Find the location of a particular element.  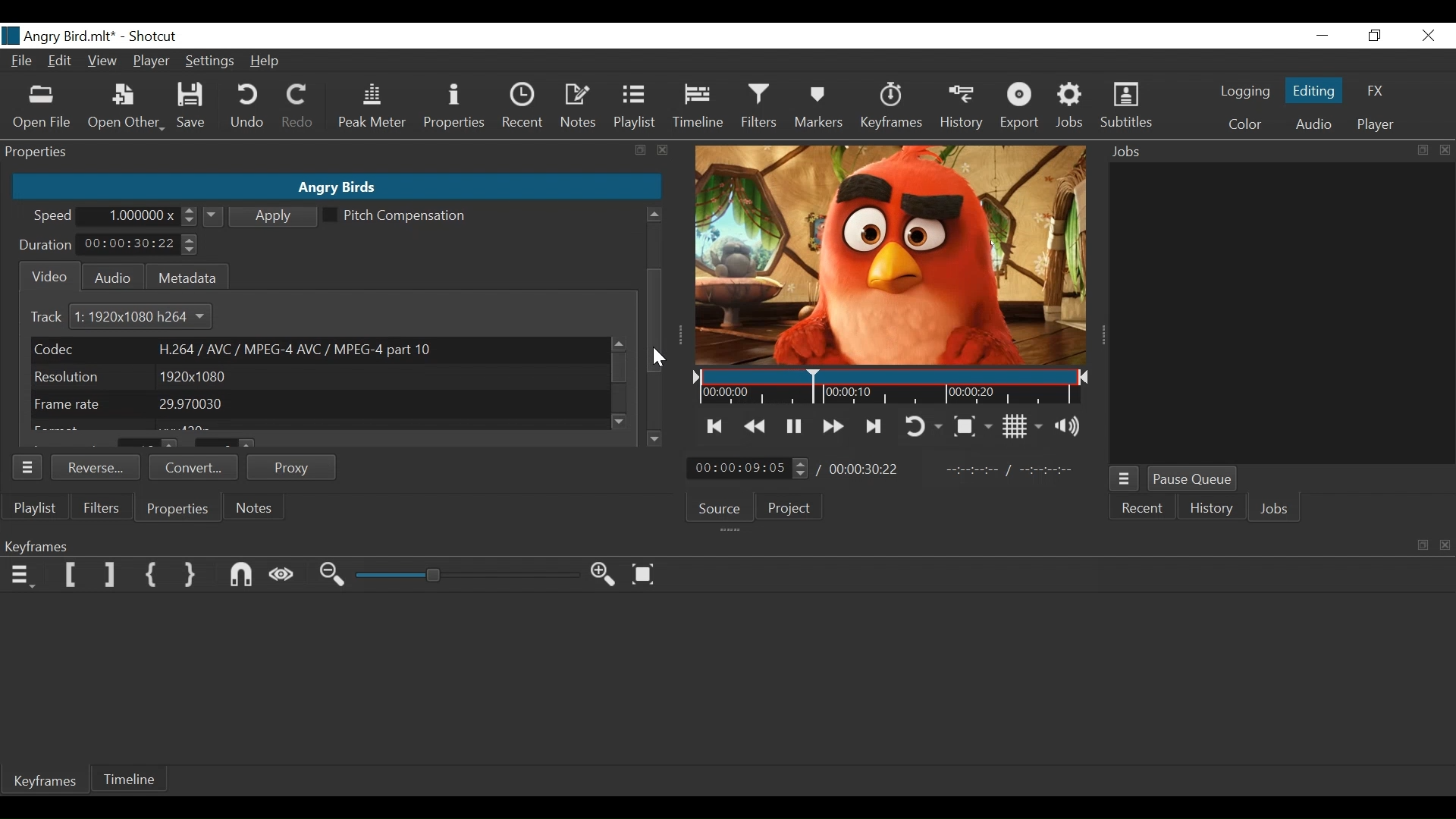

Reverse is located at coordinates (96, 466).